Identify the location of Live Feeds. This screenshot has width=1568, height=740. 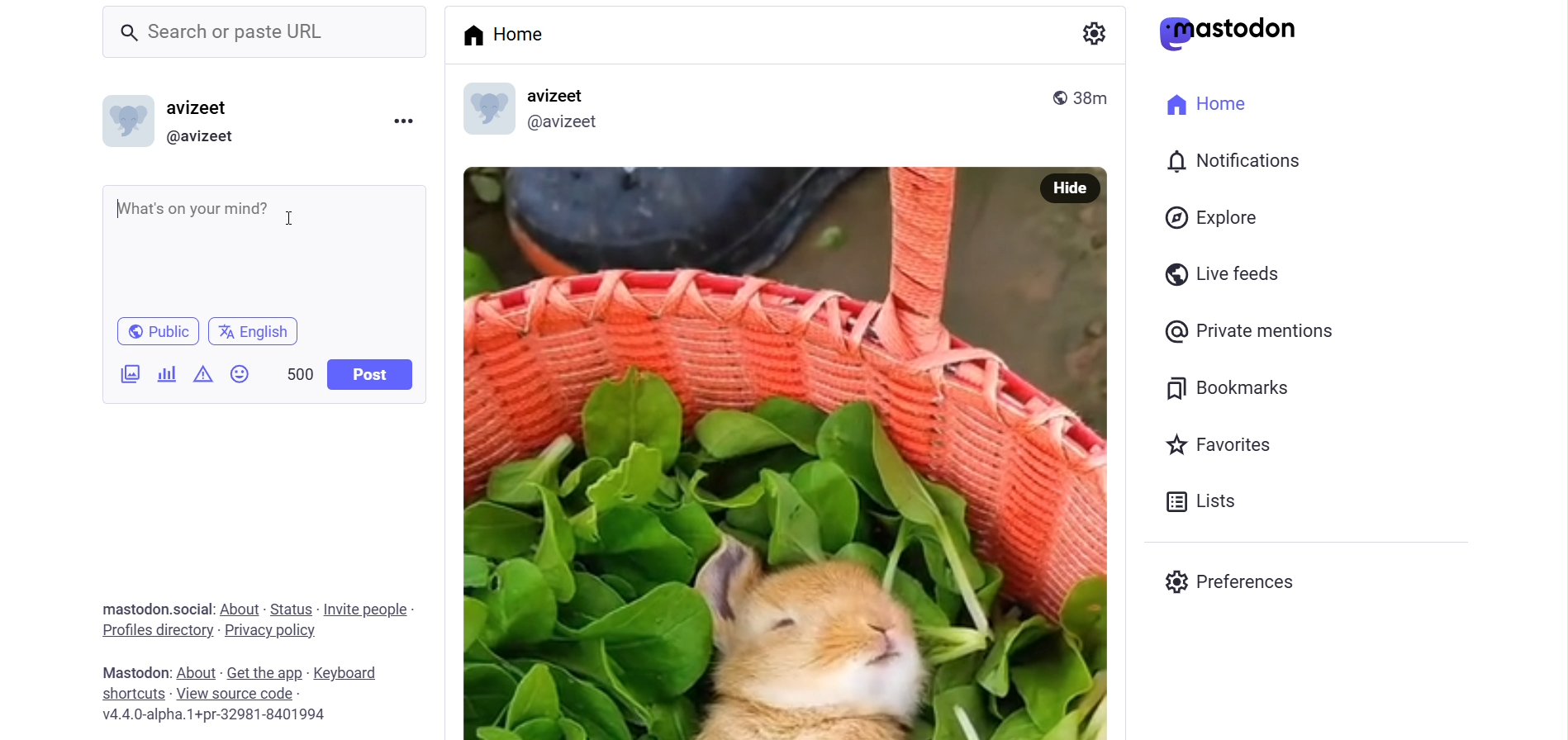
(1219, 274).